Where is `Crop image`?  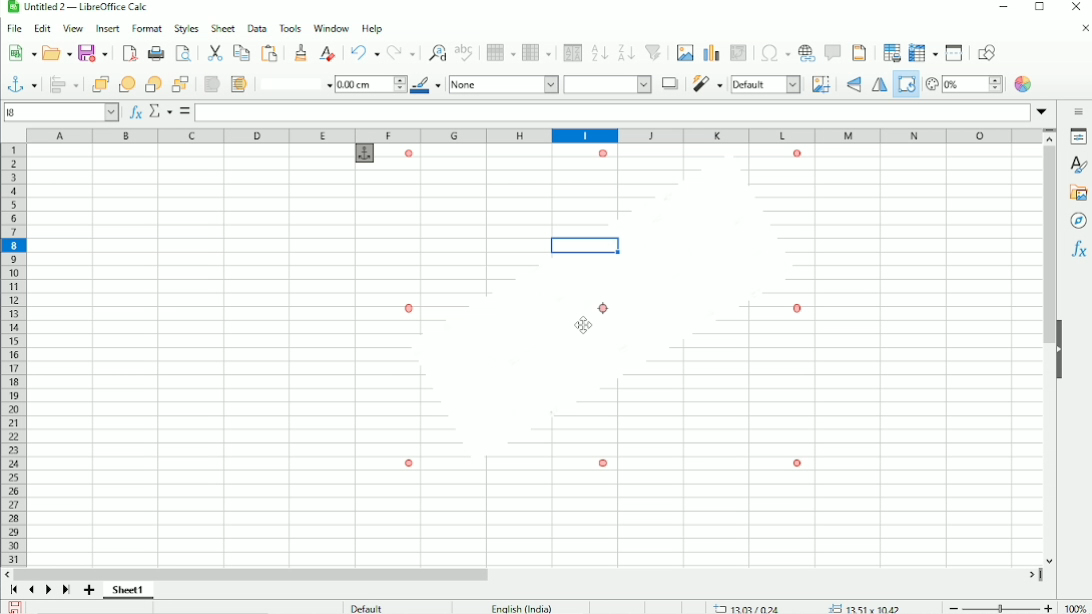
Crop image is located at coordinates (822, 84).